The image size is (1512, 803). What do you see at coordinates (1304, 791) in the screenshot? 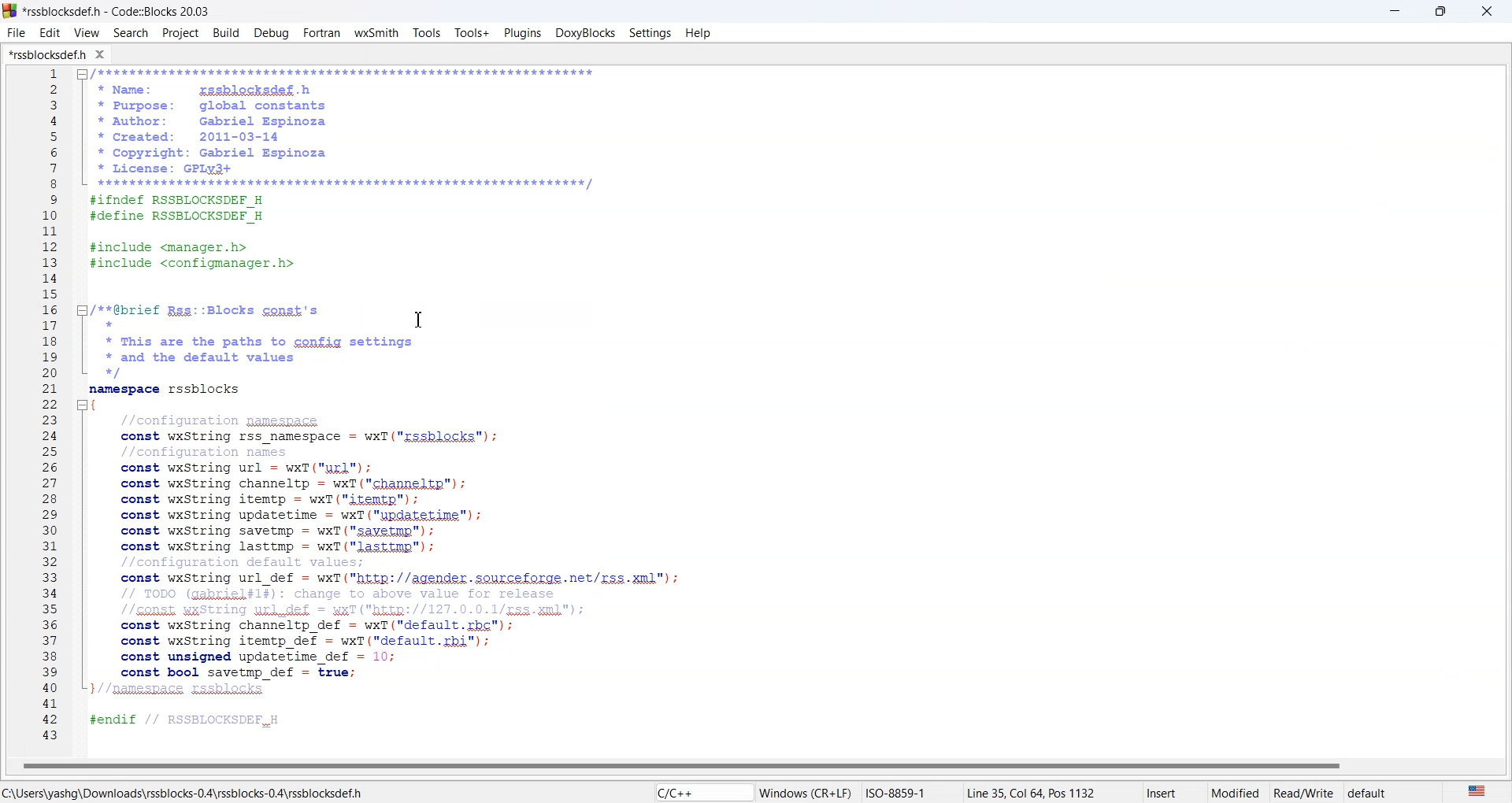
I see `Read/white` at bounding box center [1304, 791].